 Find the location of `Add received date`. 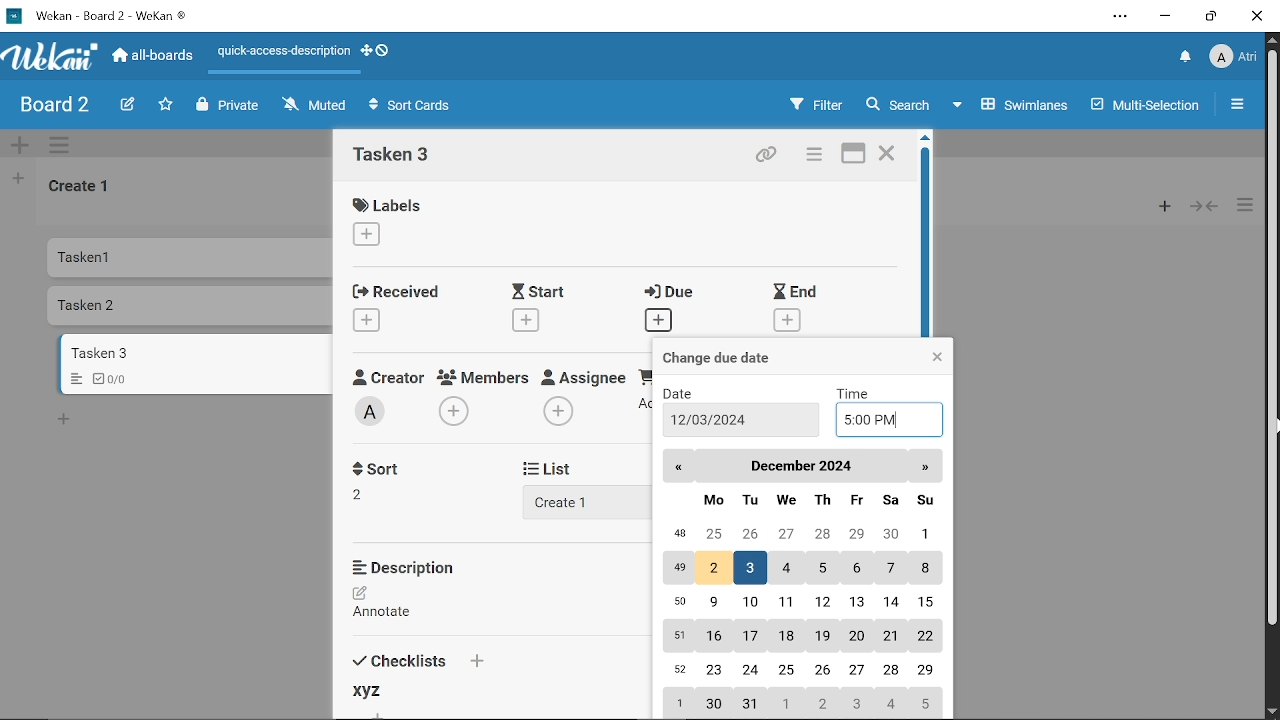

Add received date is located at coordinates (368, 319).